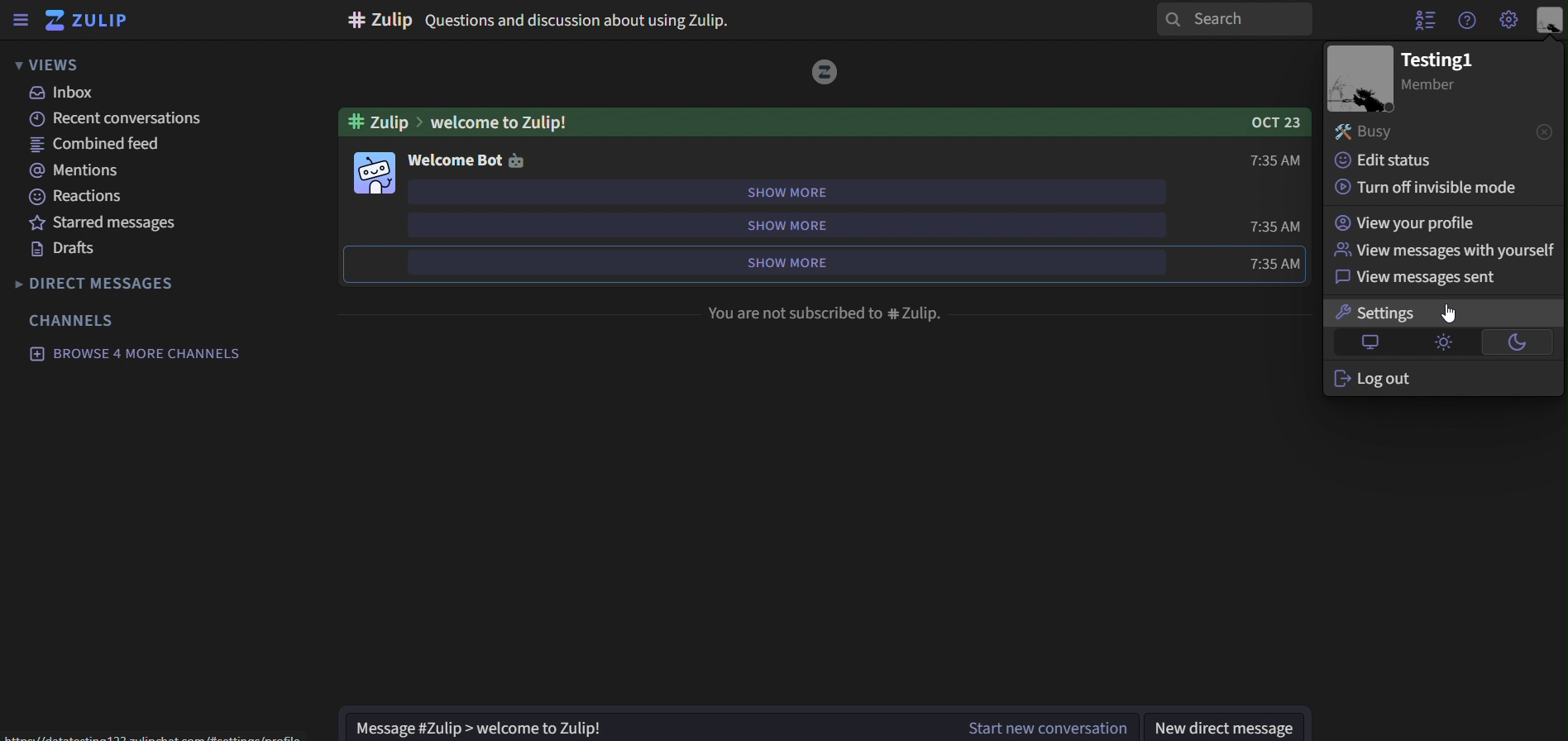  Describe the element at coordinates (782, 260) in the screenshot. I see `show more` at that location.